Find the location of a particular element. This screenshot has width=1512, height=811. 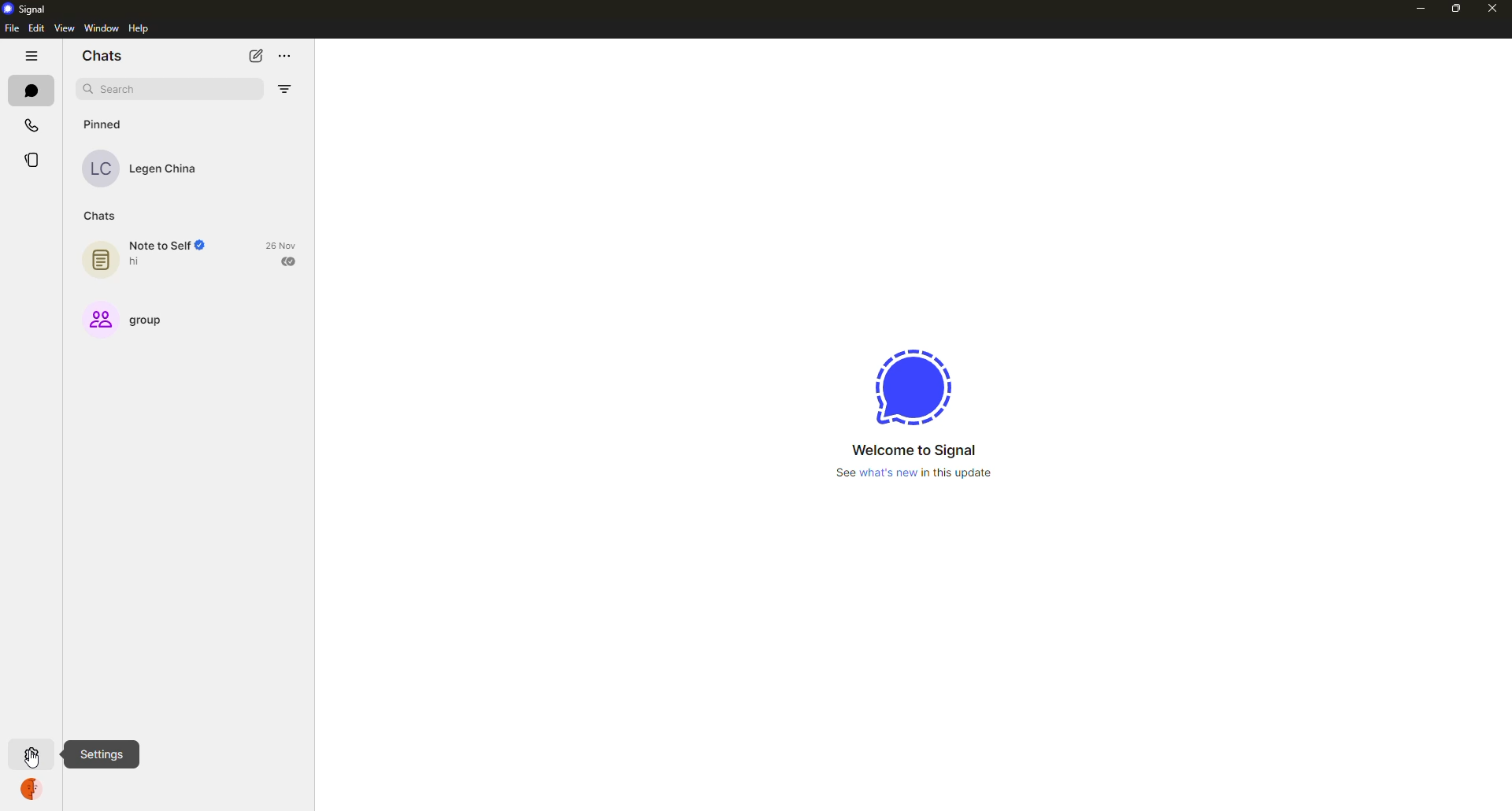

pinned is located at coordinates (107, 124).